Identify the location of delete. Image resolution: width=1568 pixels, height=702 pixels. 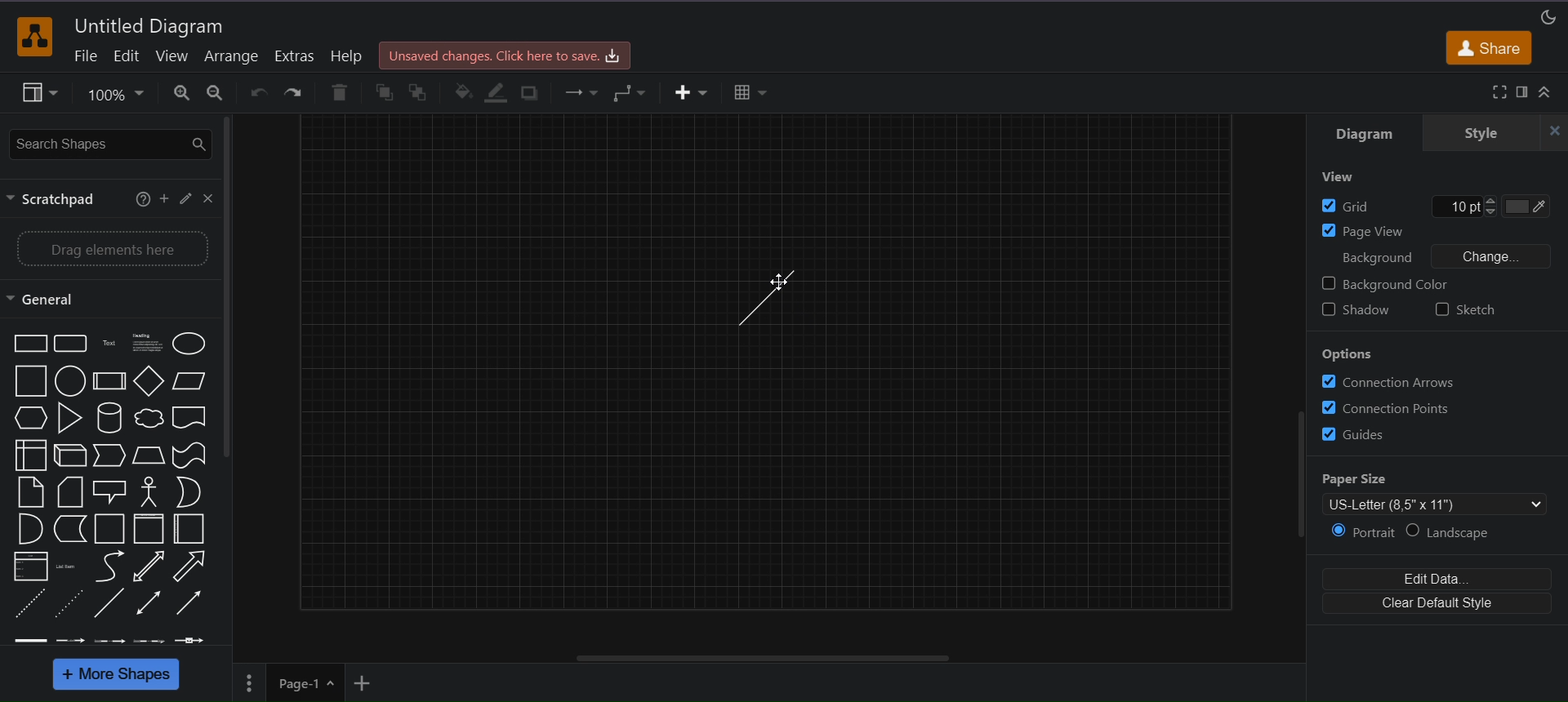
(340, 91).